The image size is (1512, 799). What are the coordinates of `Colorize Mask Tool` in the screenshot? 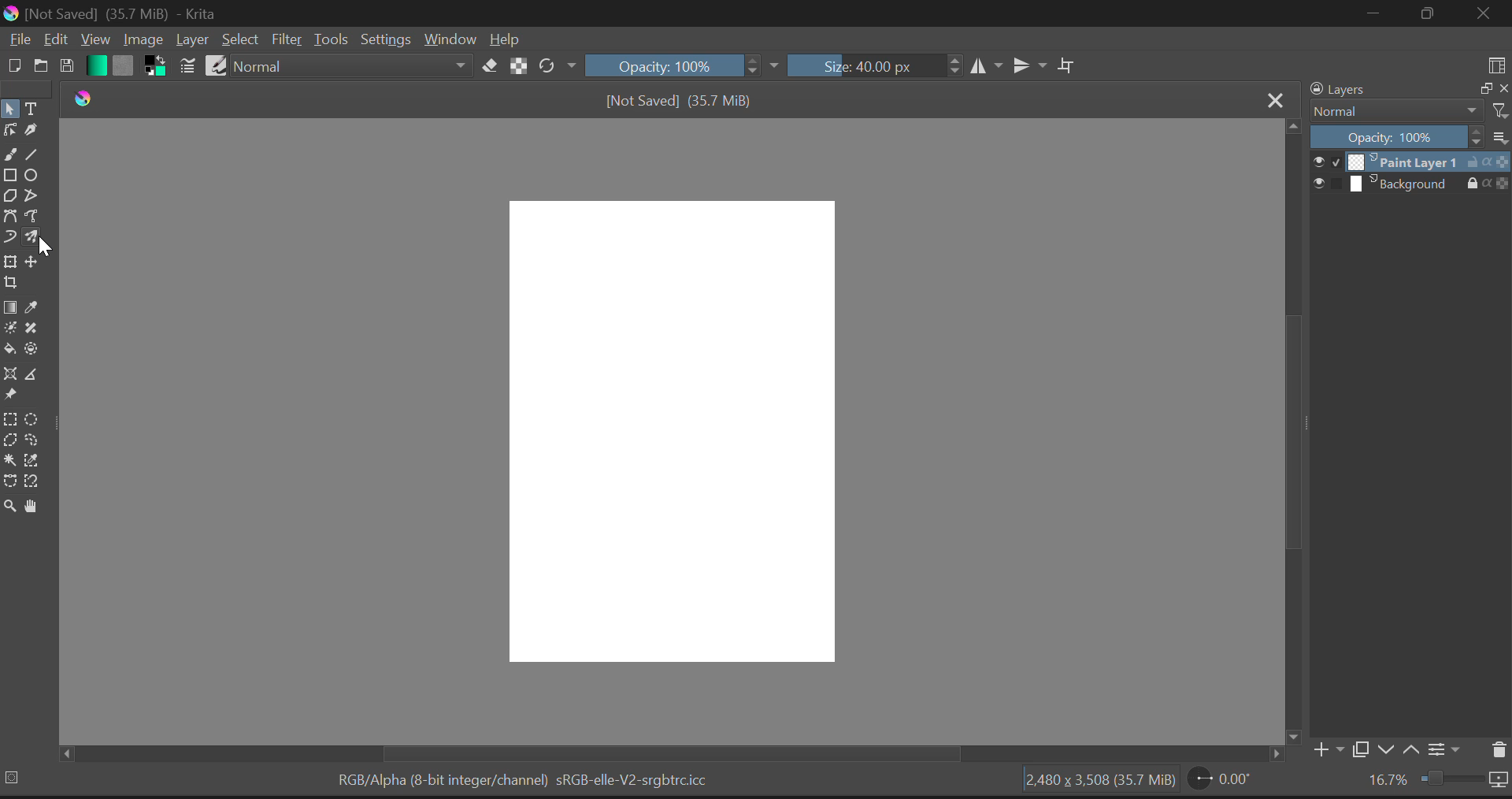 It's located at (9, 330).